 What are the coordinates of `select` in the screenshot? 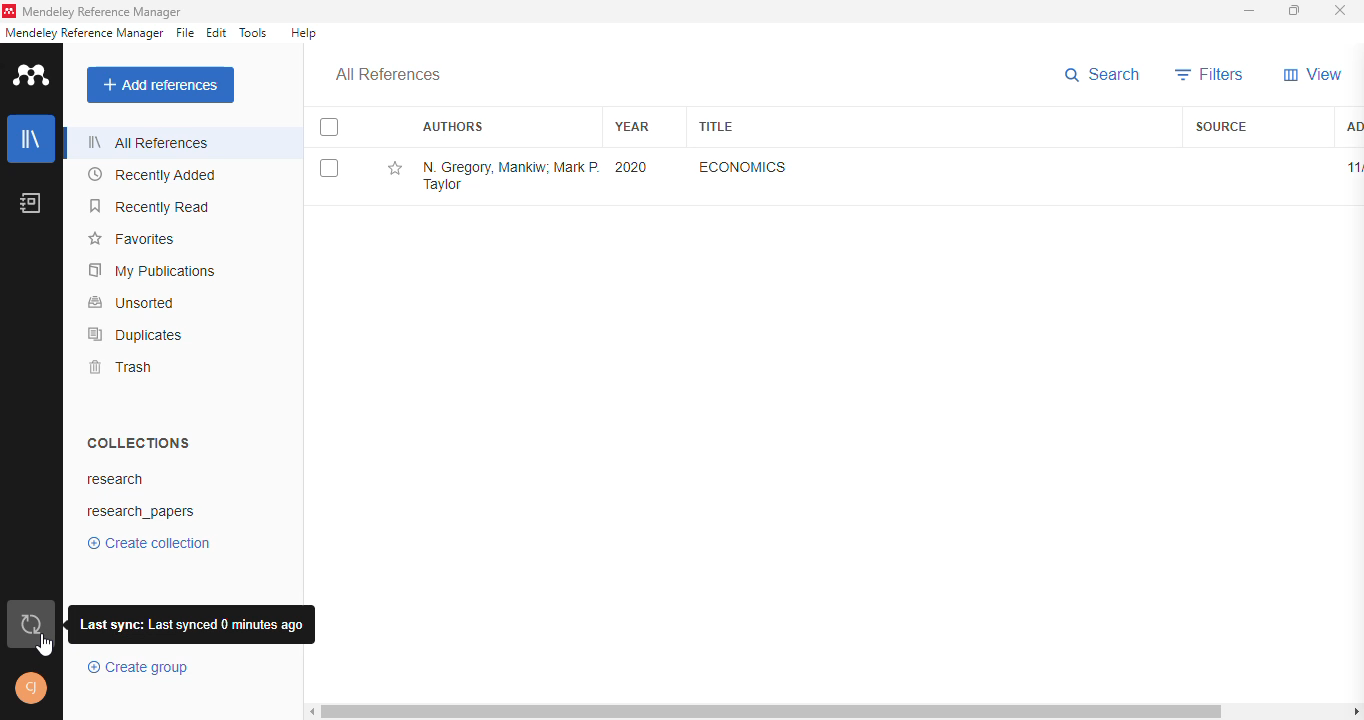 It's located at (329, 168).